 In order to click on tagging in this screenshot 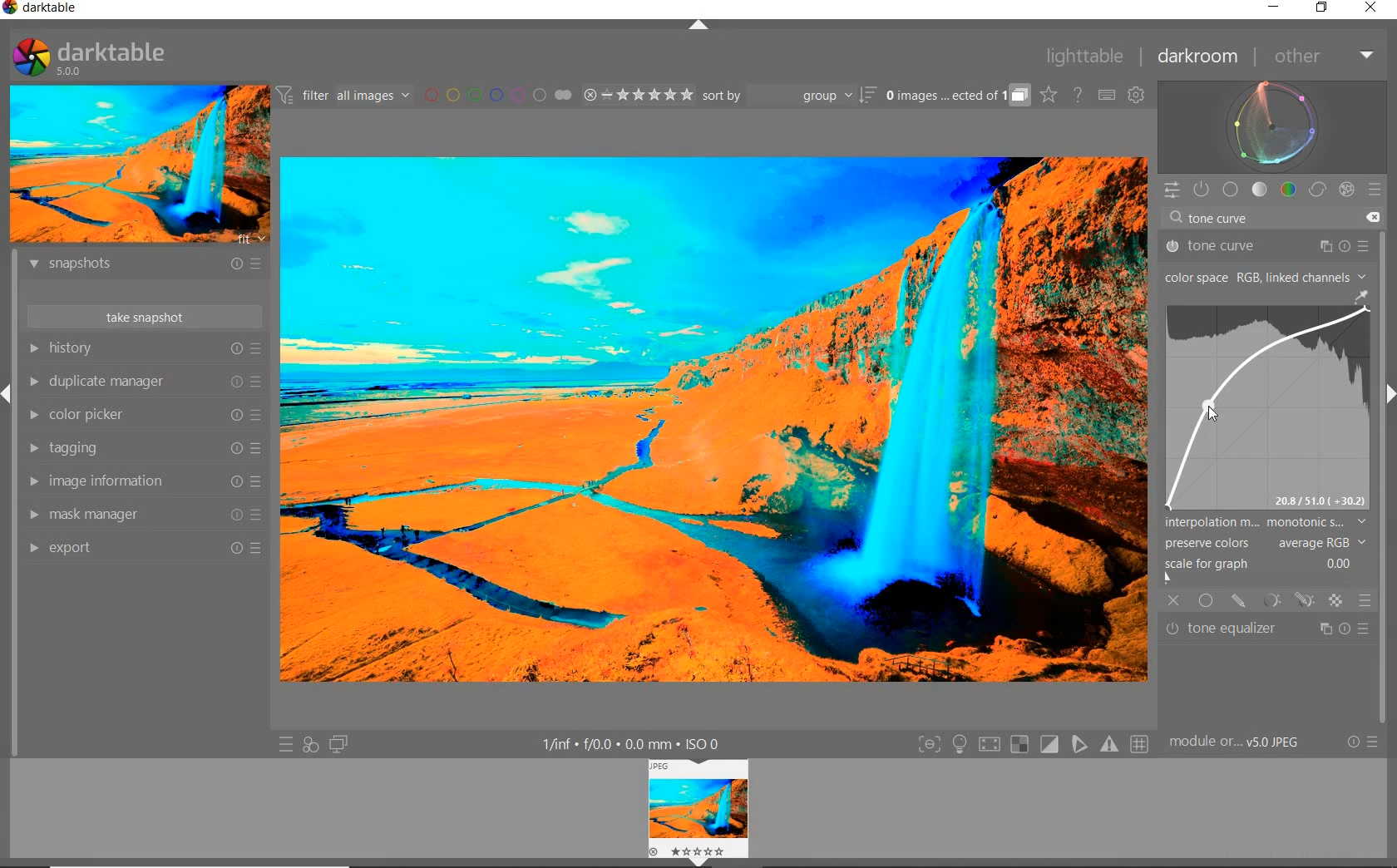, I will do `click(144, 448)`.